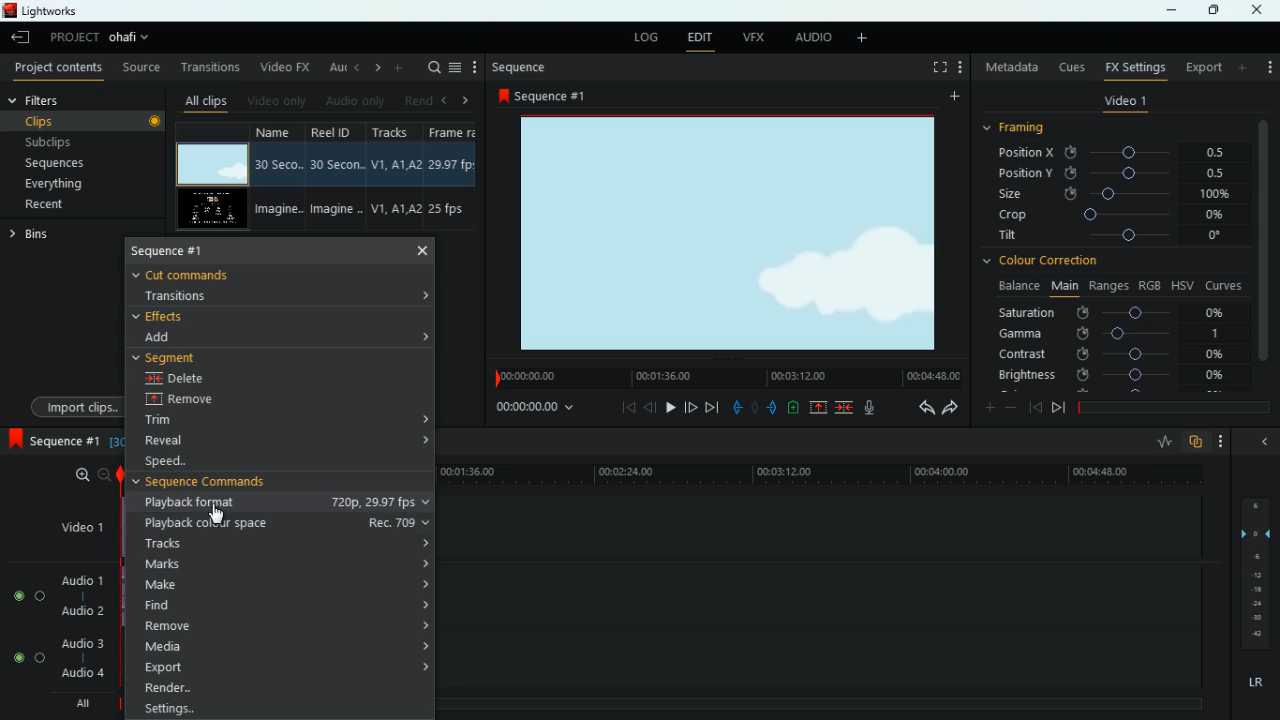 This screenshot has height=720, width=1280. Describe the element at coordinates (286, 501) in the screenshot. I see `playback format` at that location.